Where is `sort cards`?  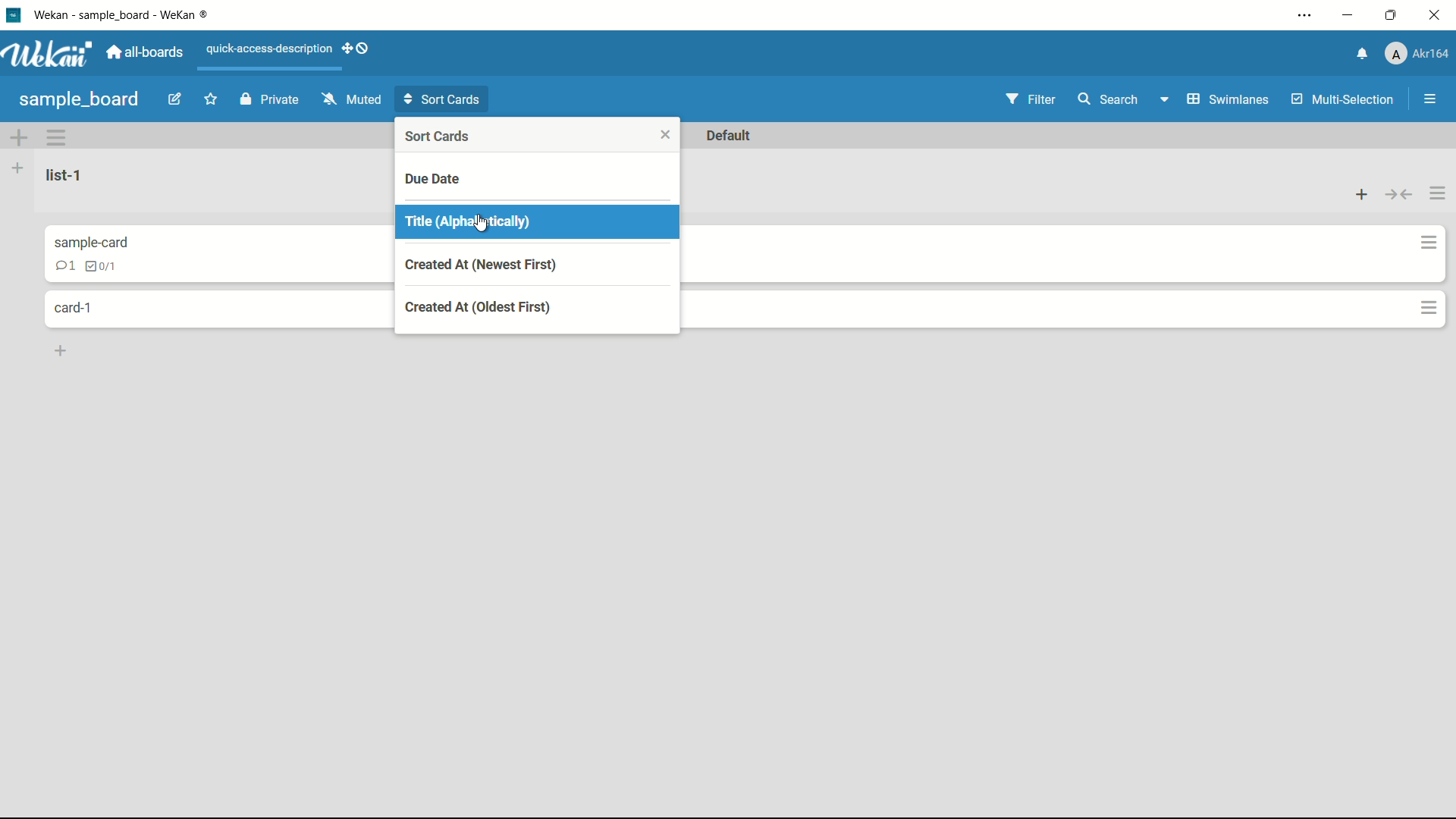
sort cards is located at coordinates (443, 137).